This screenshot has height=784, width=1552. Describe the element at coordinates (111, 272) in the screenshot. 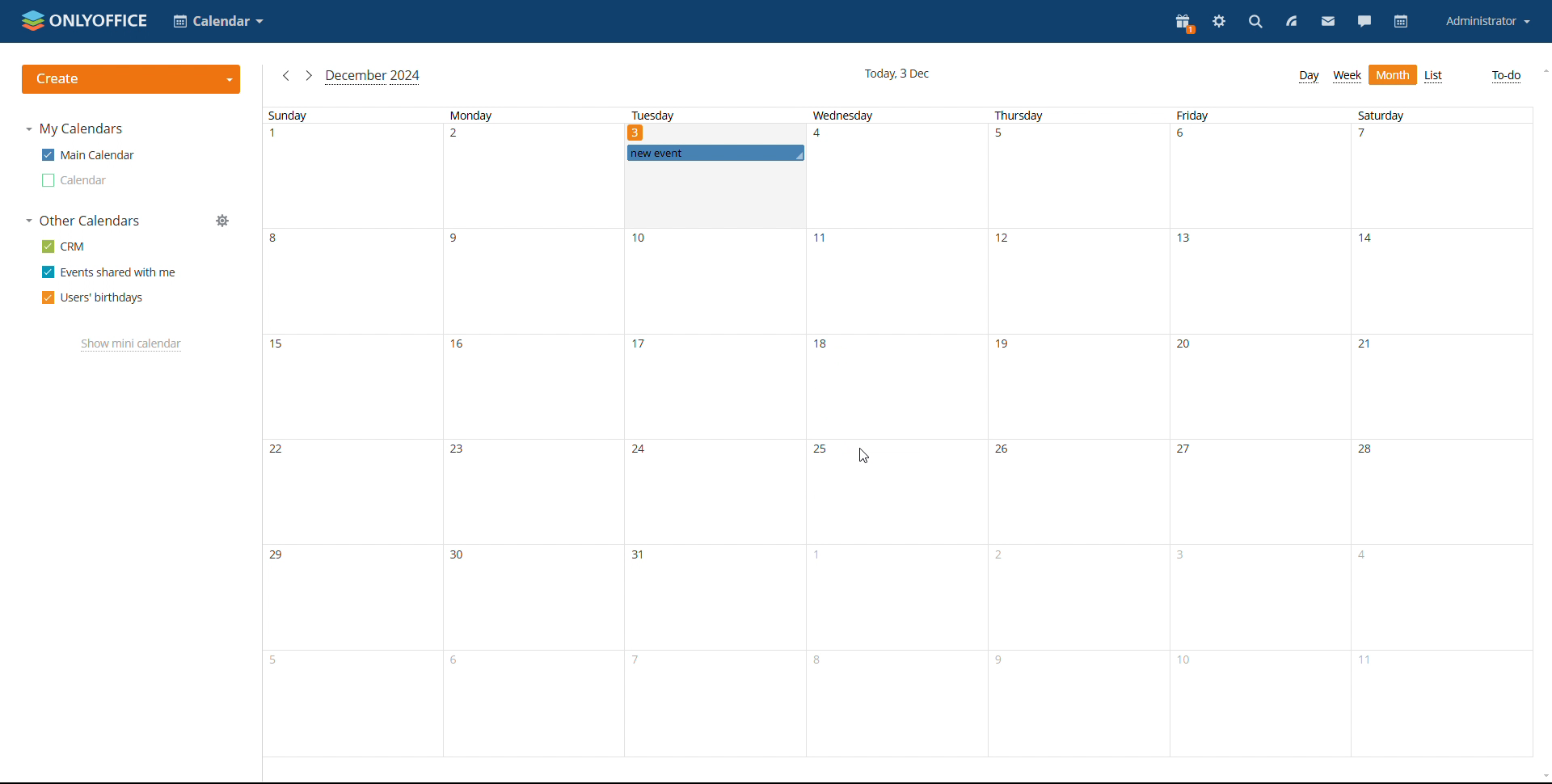

I see `events shared with me` at that location.